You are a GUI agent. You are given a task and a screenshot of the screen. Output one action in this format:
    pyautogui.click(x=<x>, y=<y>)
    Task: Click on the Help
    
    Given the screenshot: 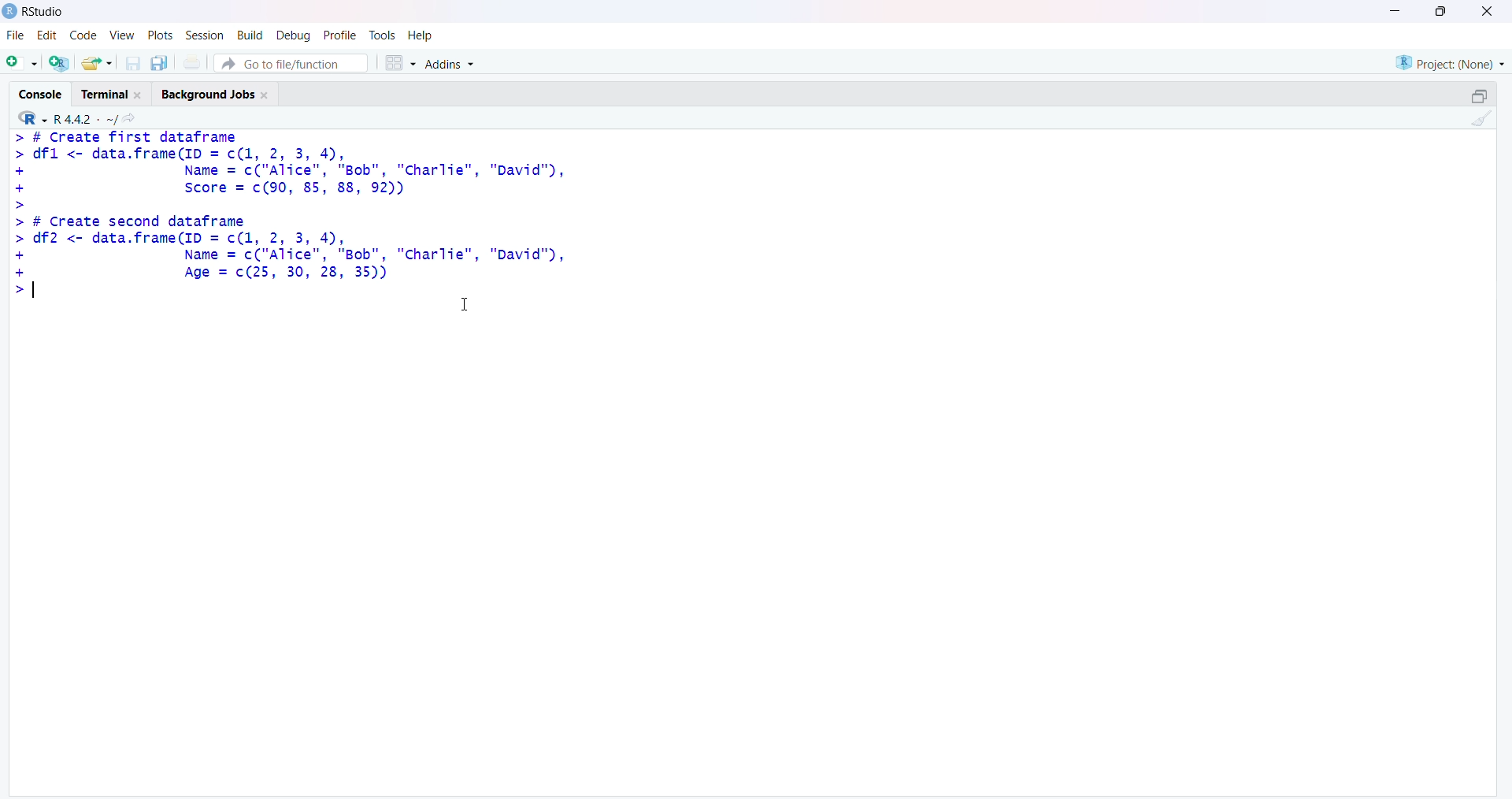 What is the action you would take?
    pyautogui.click(x=420, y=35)
    